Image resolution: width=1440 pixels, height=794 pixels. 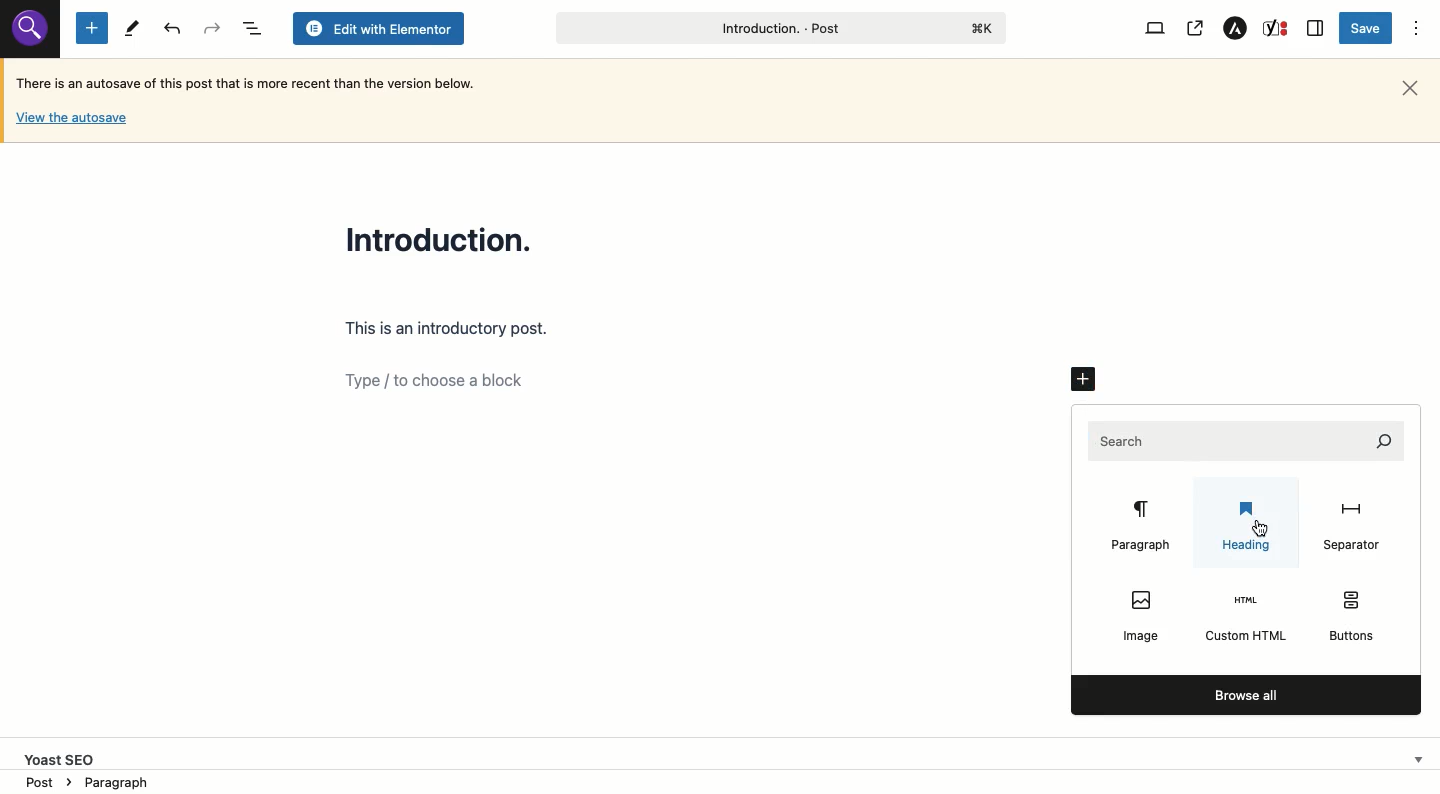 I want to click on Options, so click(x=1417, y=29).